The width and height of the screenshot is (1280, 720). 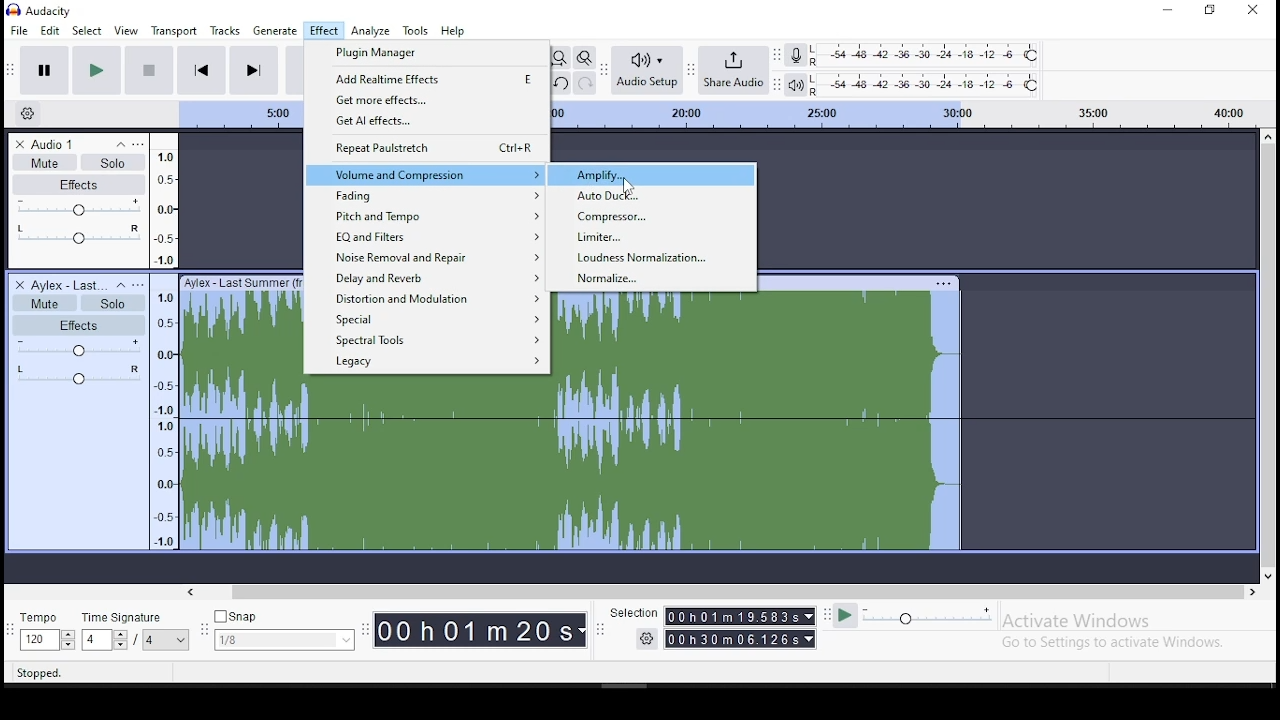 What do you see at coordinates (651, 175) in the screenshot?
I see `amplify` at bounding box center [651, 175].